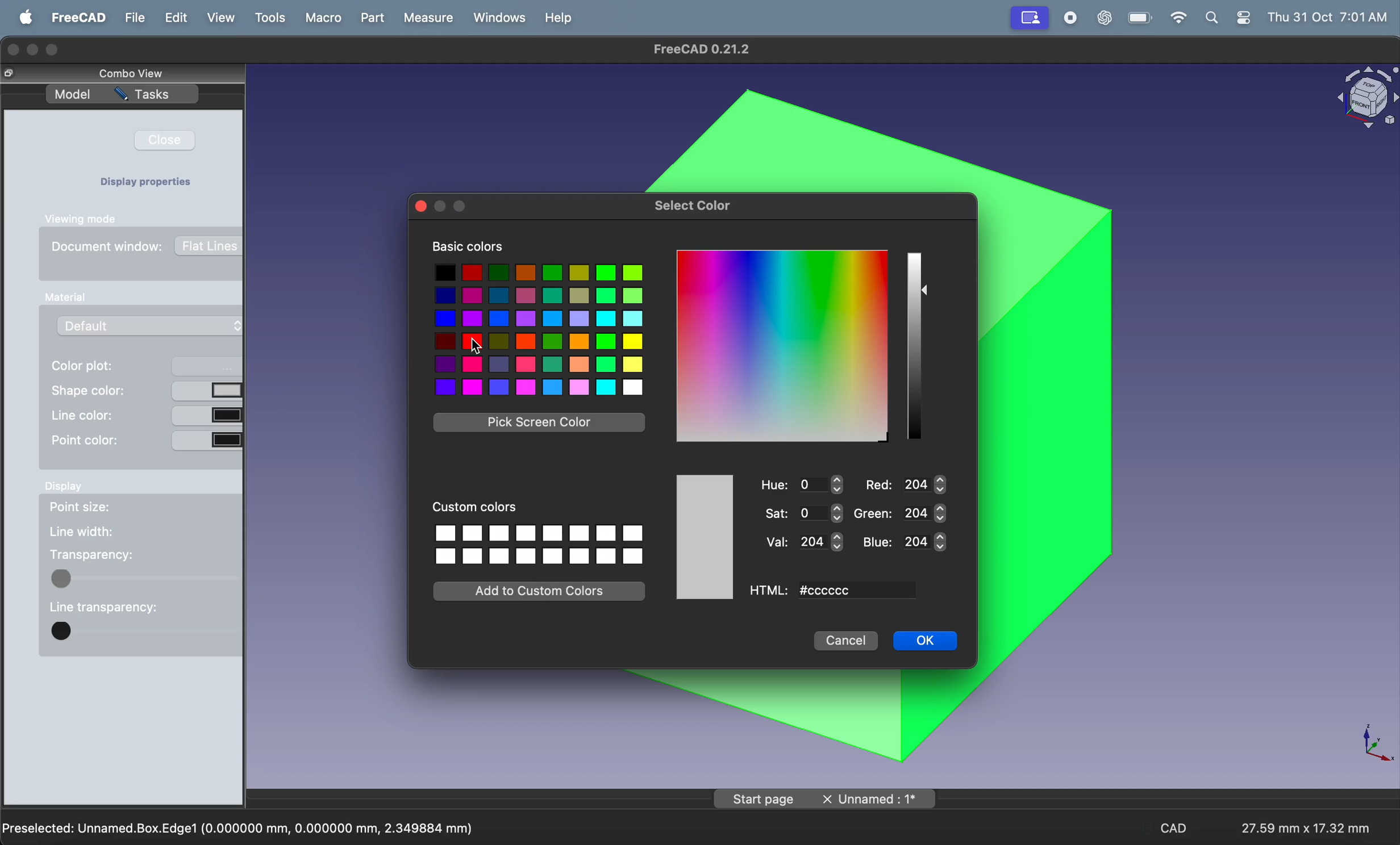 The height and width of the screenshot is (845, 1400). What do you see at coordinates (540, 423) in the screenshot?
I see `pick skin color` at bounding box center [540, 423].